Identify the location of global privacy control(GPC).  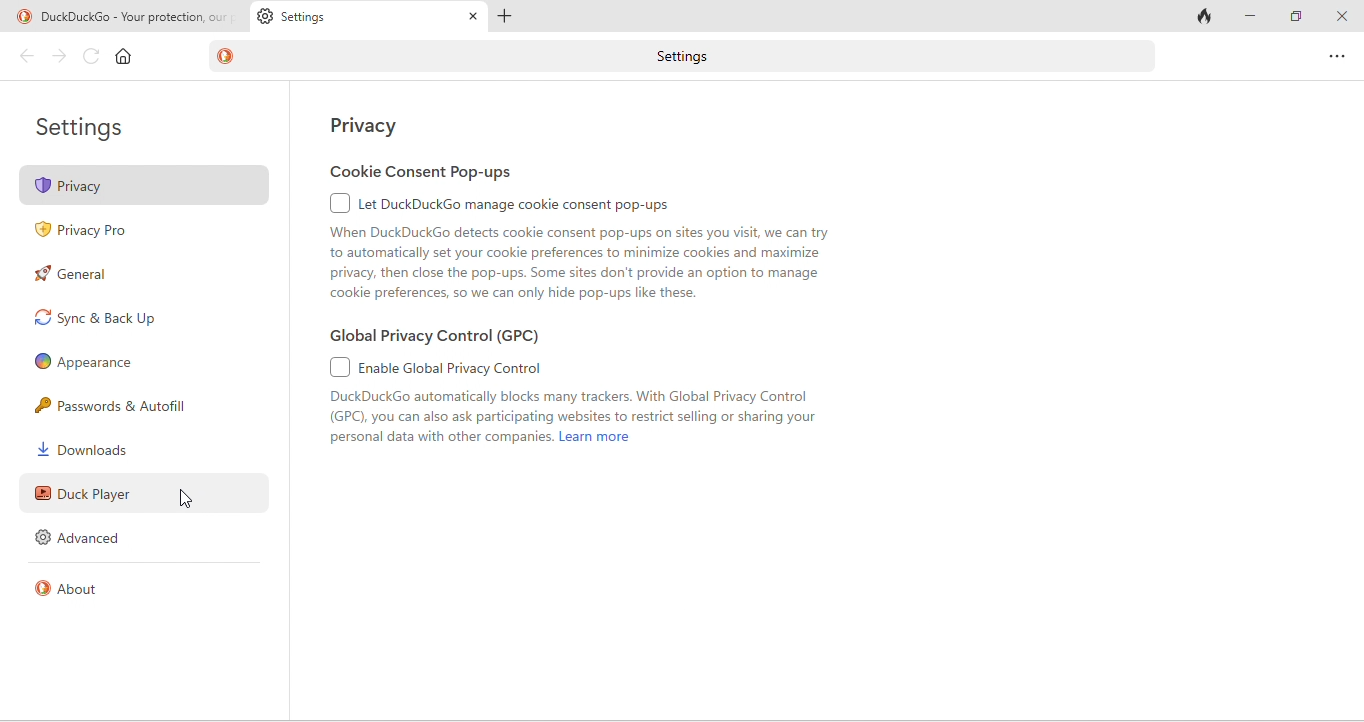
(440, 338).